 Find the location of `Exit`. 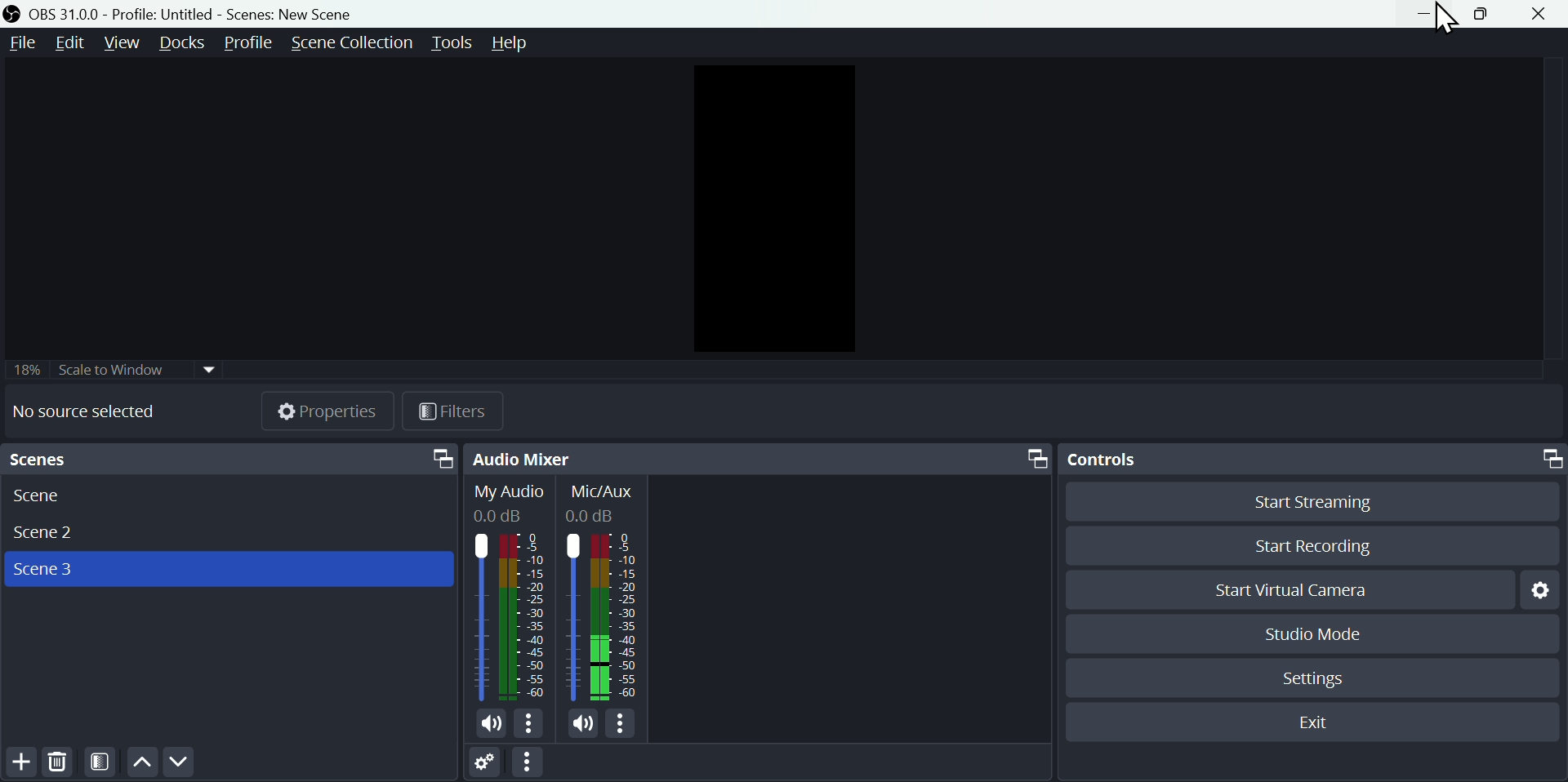

Exit is located at coordinates (1308, 721).